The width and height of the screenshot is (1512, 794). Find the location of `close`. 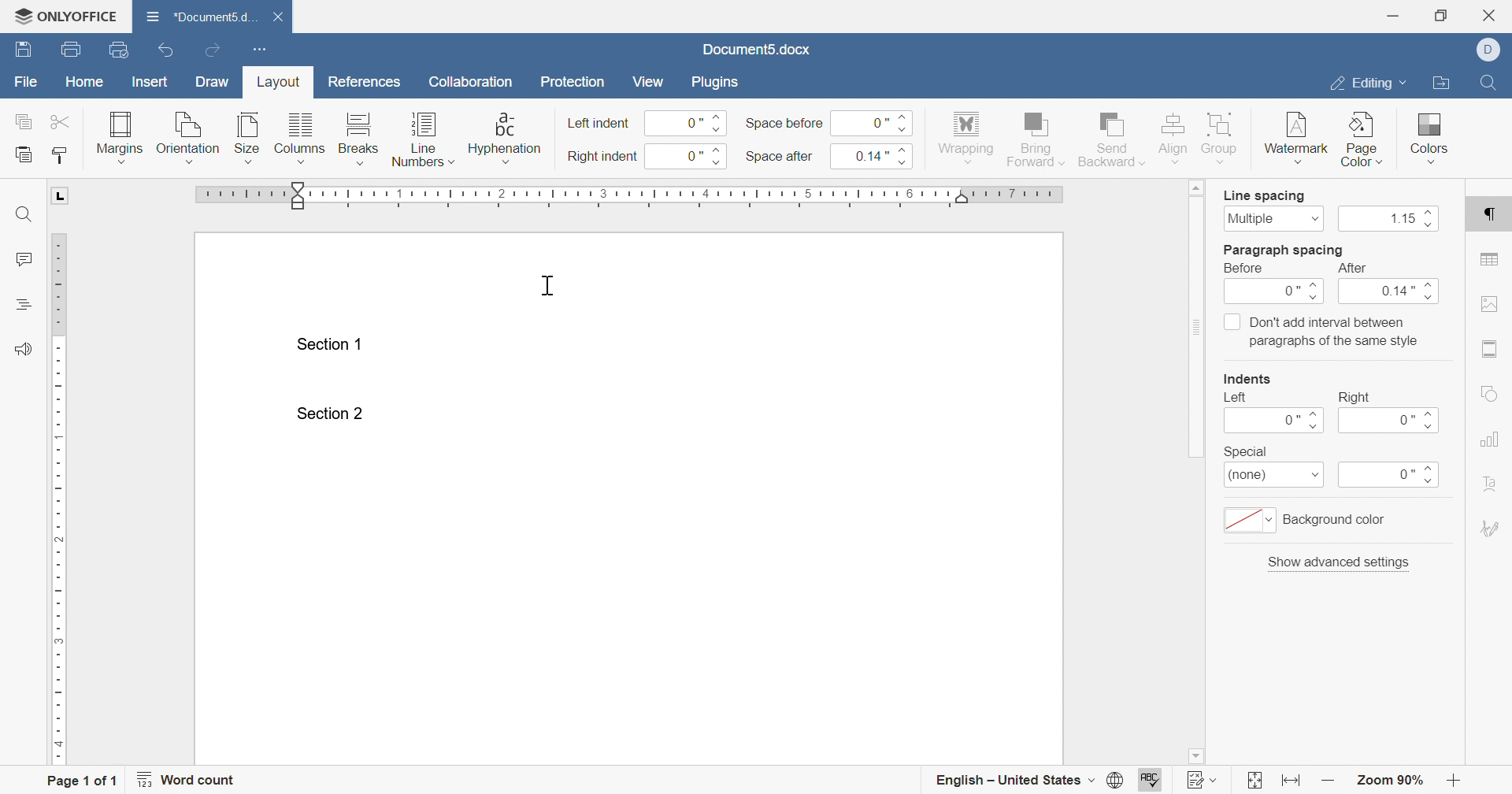

close is located at coordinates (1492, 15).